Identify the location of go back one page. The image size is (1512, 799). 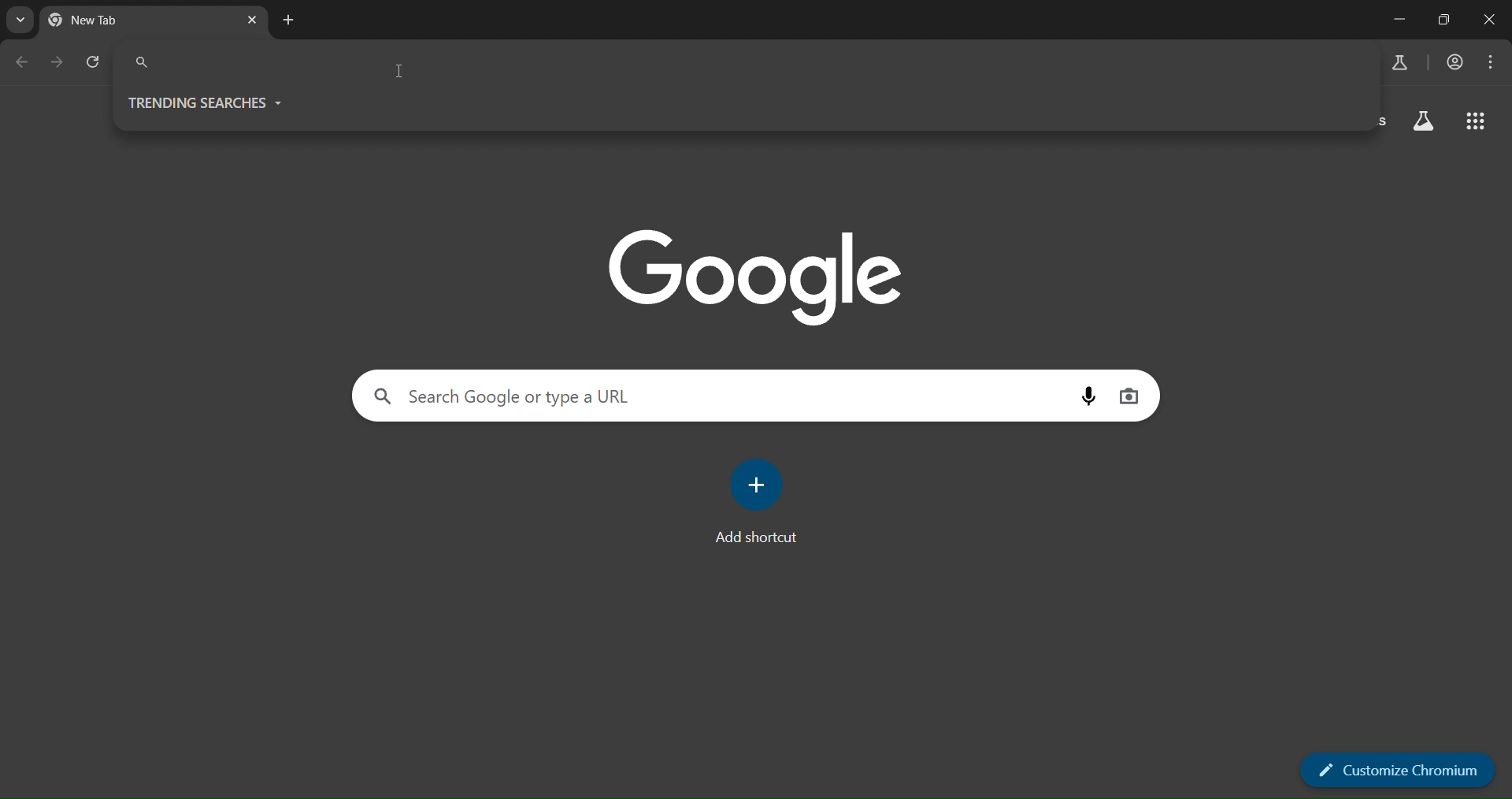
(23, 63).